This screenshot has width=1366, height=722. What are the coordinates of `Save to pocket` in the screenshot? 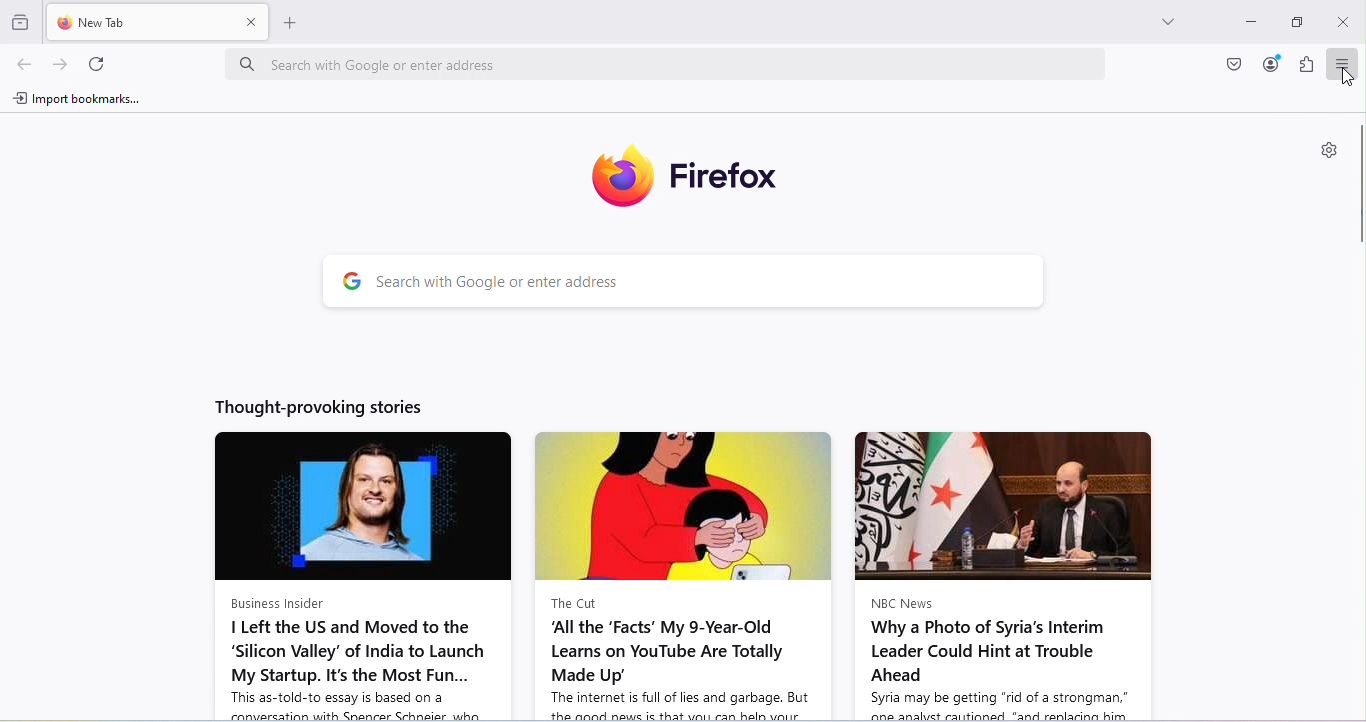 It's located at (1235, 65).